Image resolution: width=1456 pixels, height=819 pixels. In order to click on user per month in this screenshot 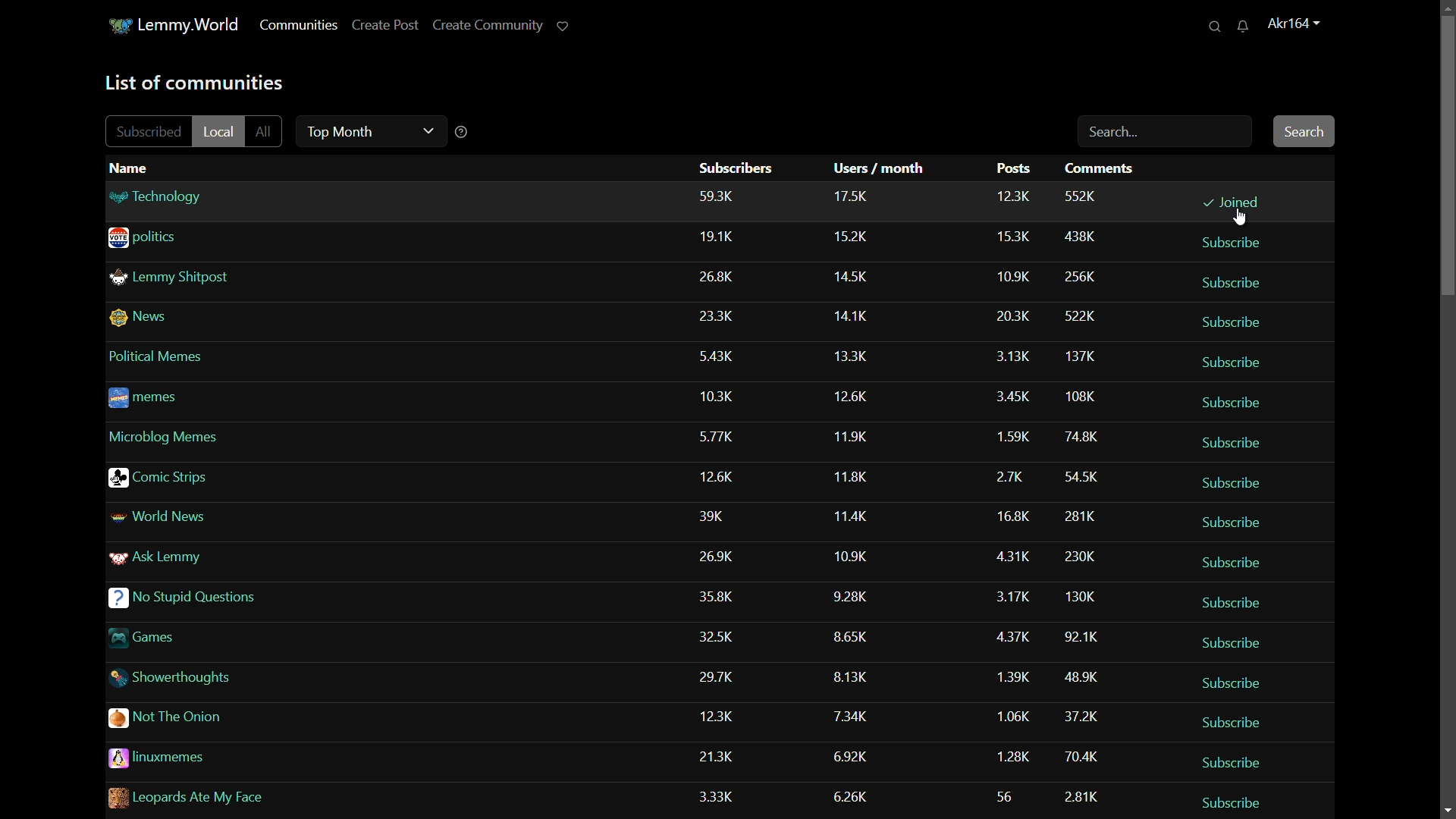, I will do `click(855, 475)`.